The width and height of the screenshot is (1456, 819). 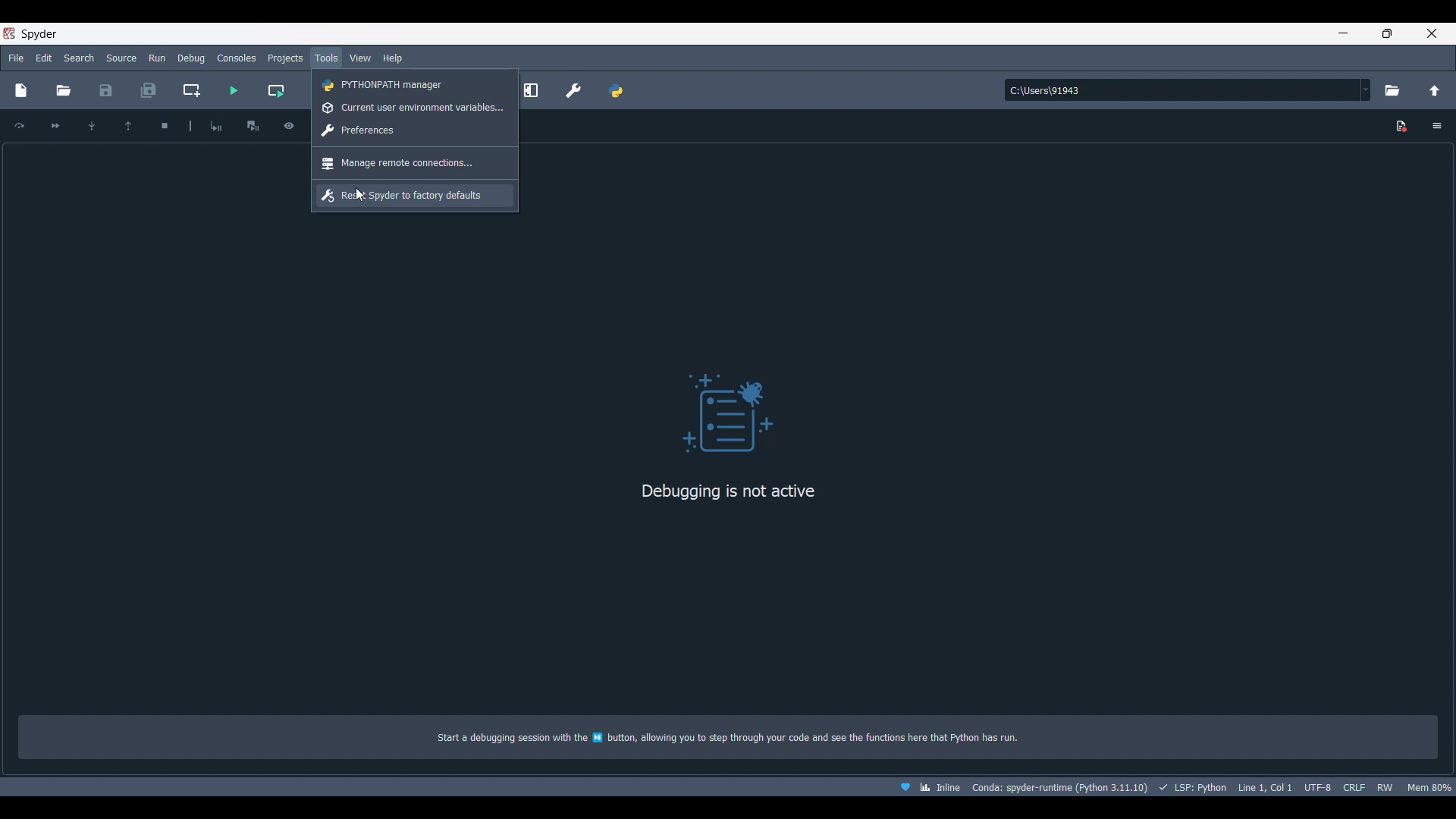 What do you see at coordinates (393, 58) in the screenshot?
I see `Help menu` at bounding box center [393, 58].